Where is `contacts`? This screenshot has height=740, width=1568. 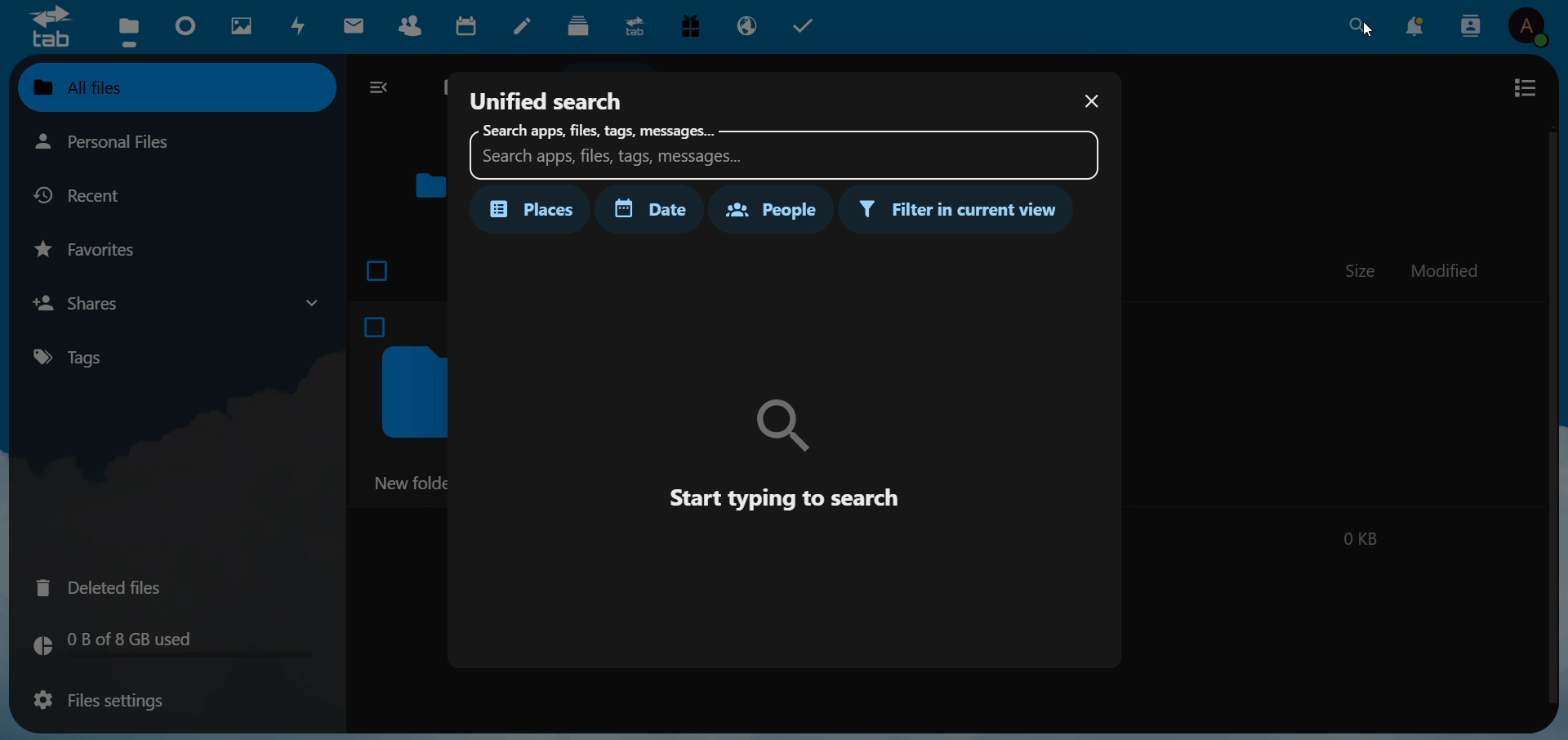
contacts is located at coordinates (1472, 25).